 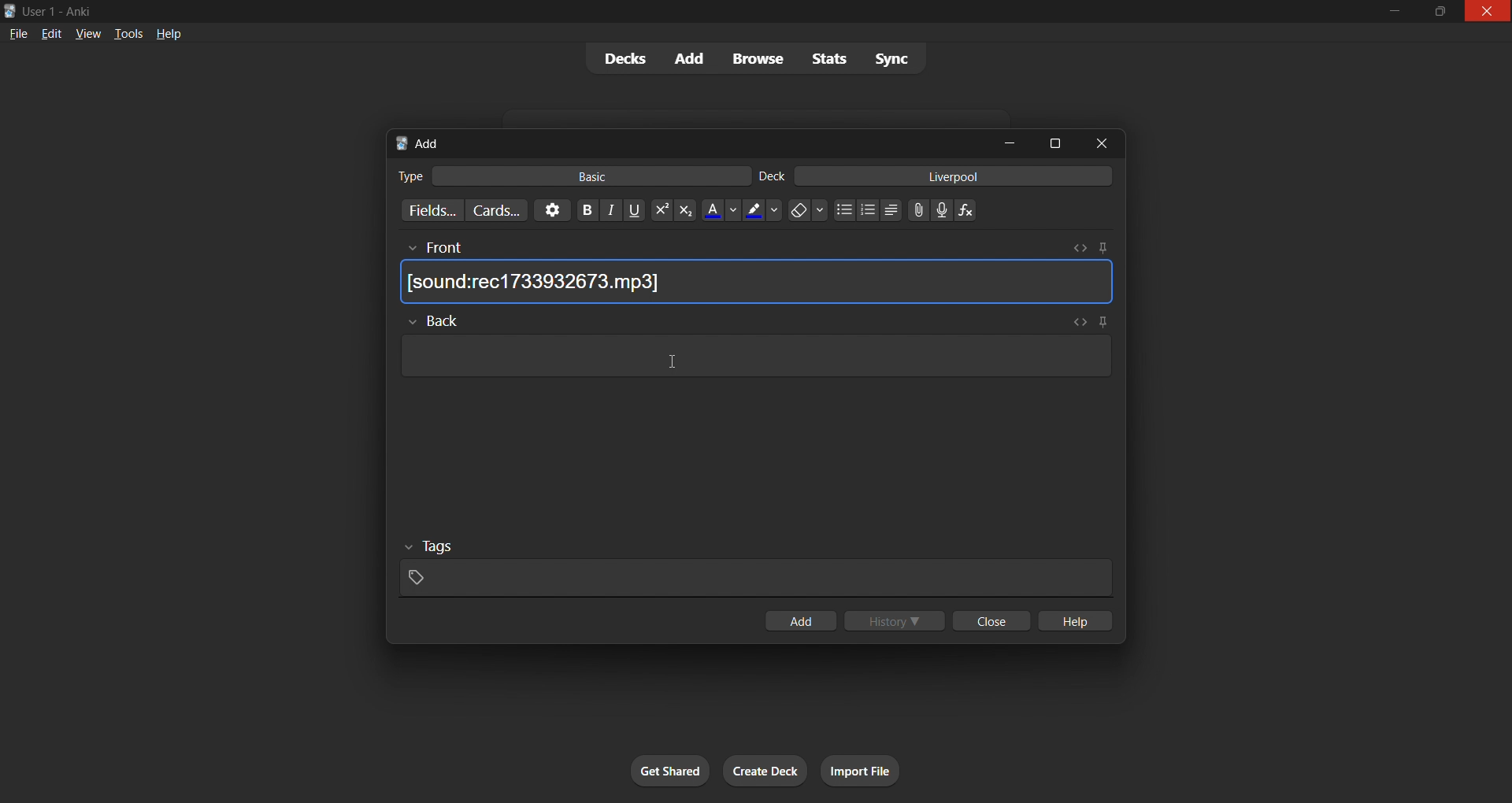 I want to click on superscript, so click(x=658, y=209).